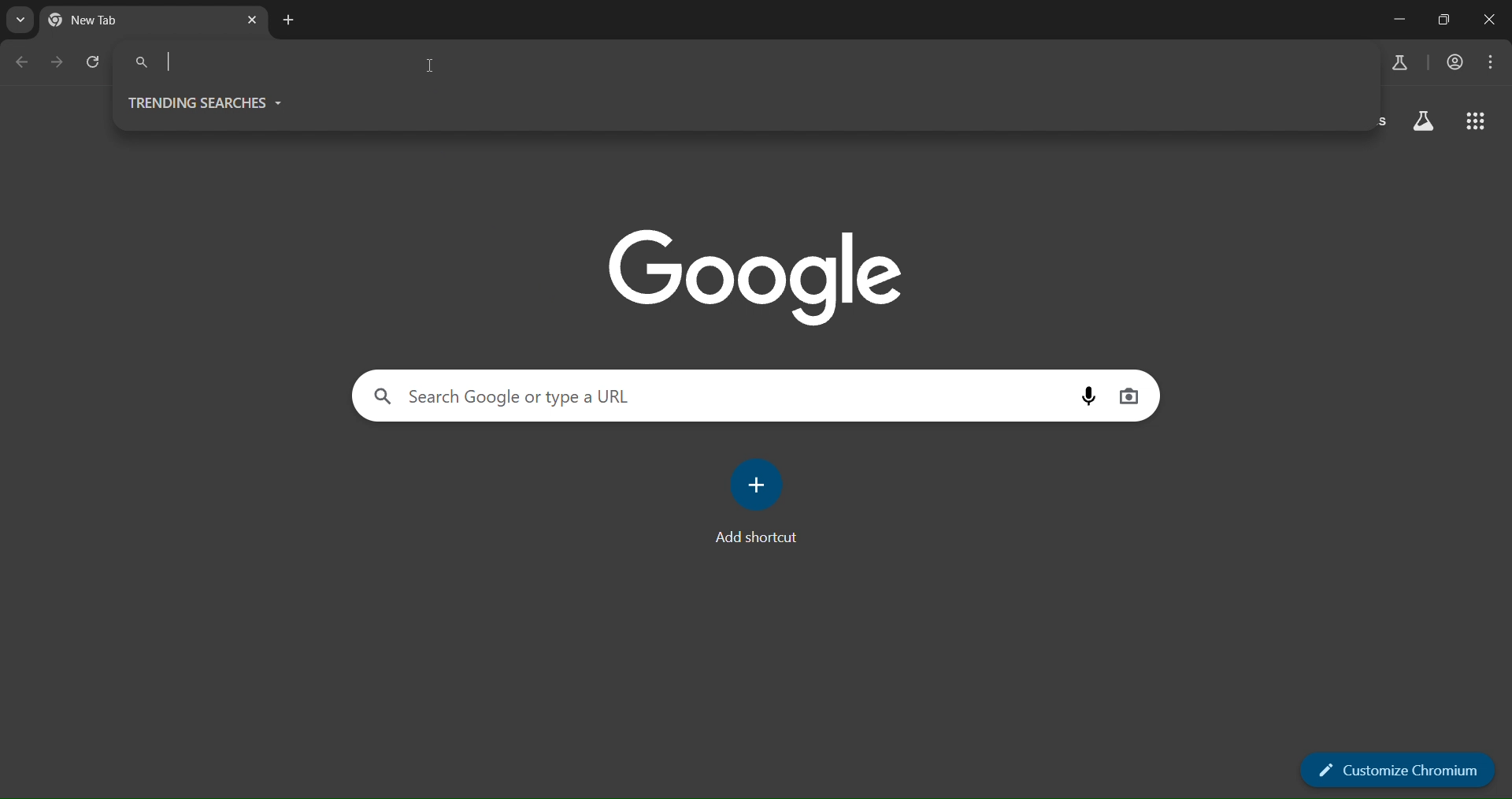 The height and width of the screenshot is (799, 1512). I want to click on add, so click(760, 481).